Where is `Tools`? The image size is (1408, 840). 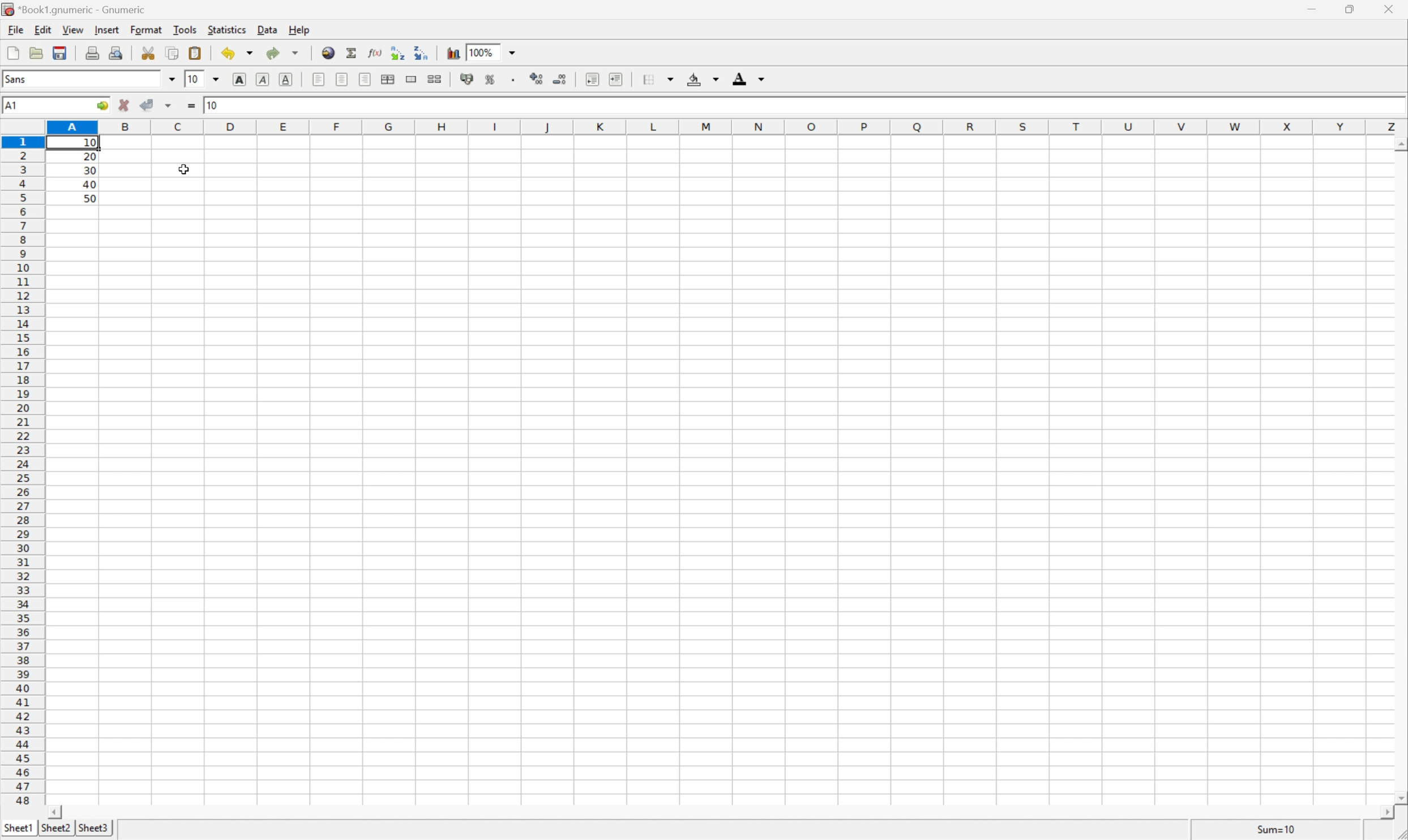 Tools is located at coordinates (185, 29).